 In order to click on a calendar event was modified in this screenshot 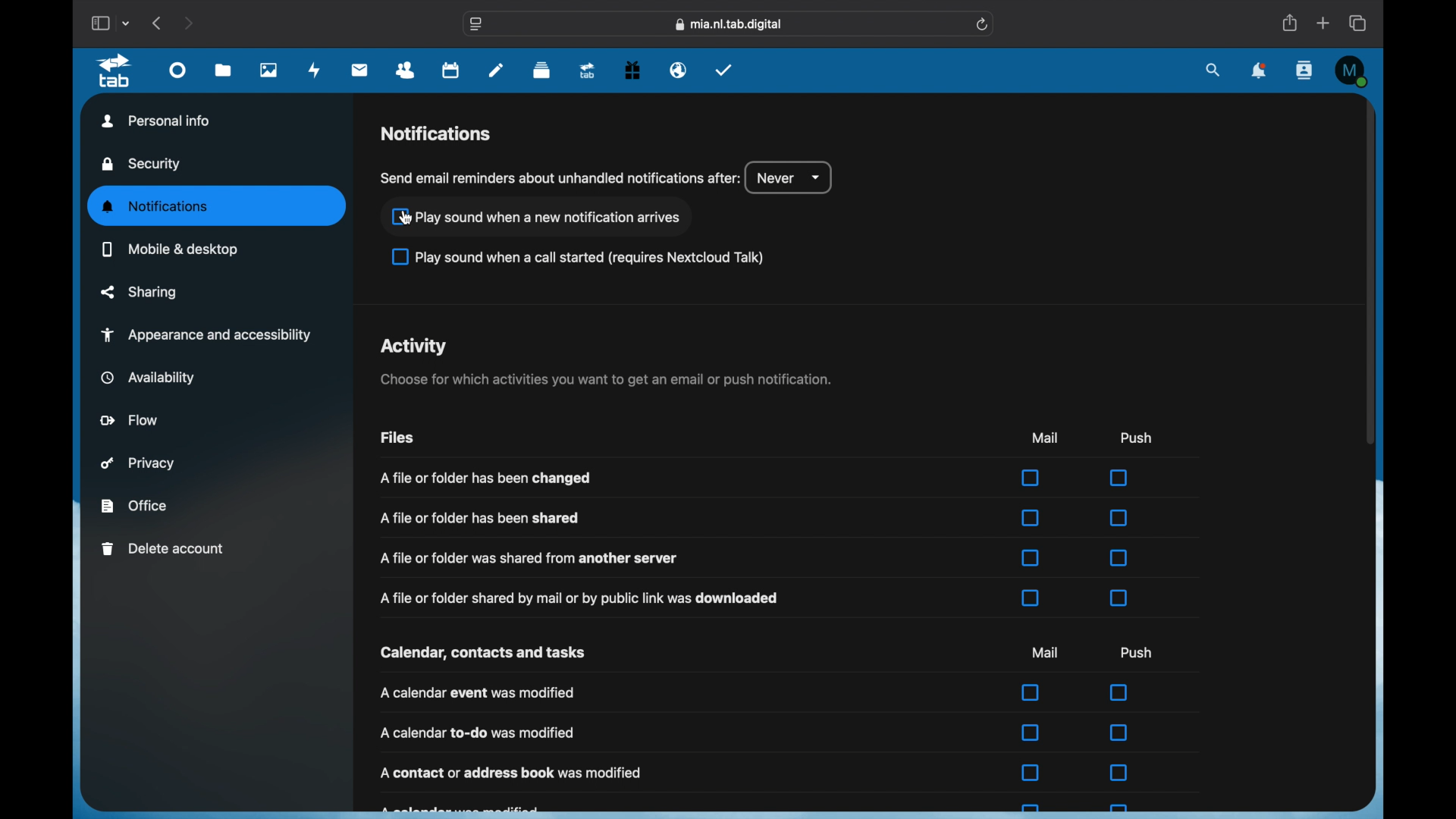, I will do `click(478, 693)`.